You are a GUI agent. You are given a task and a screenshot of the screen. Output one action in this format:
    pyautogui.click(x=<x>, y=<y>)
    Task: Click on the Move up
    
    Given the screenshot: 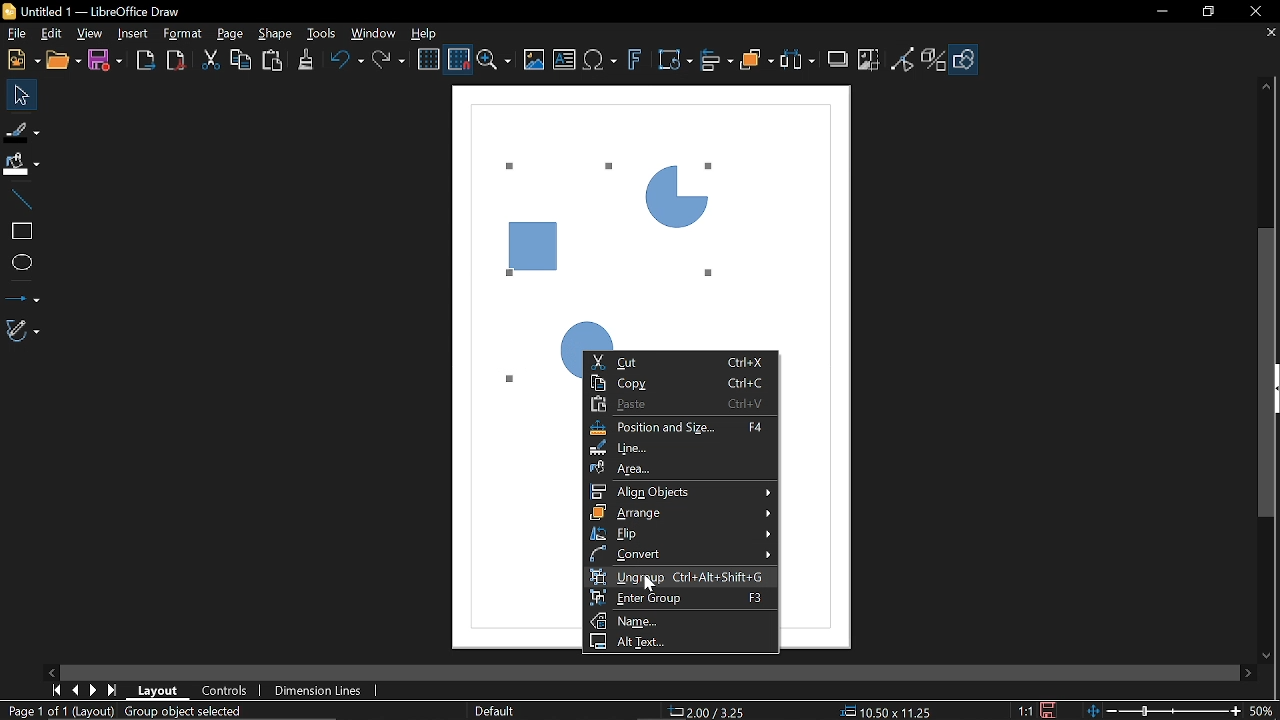 What is the action you would take?
    pyautogui.click(x=1262, y=85)
    